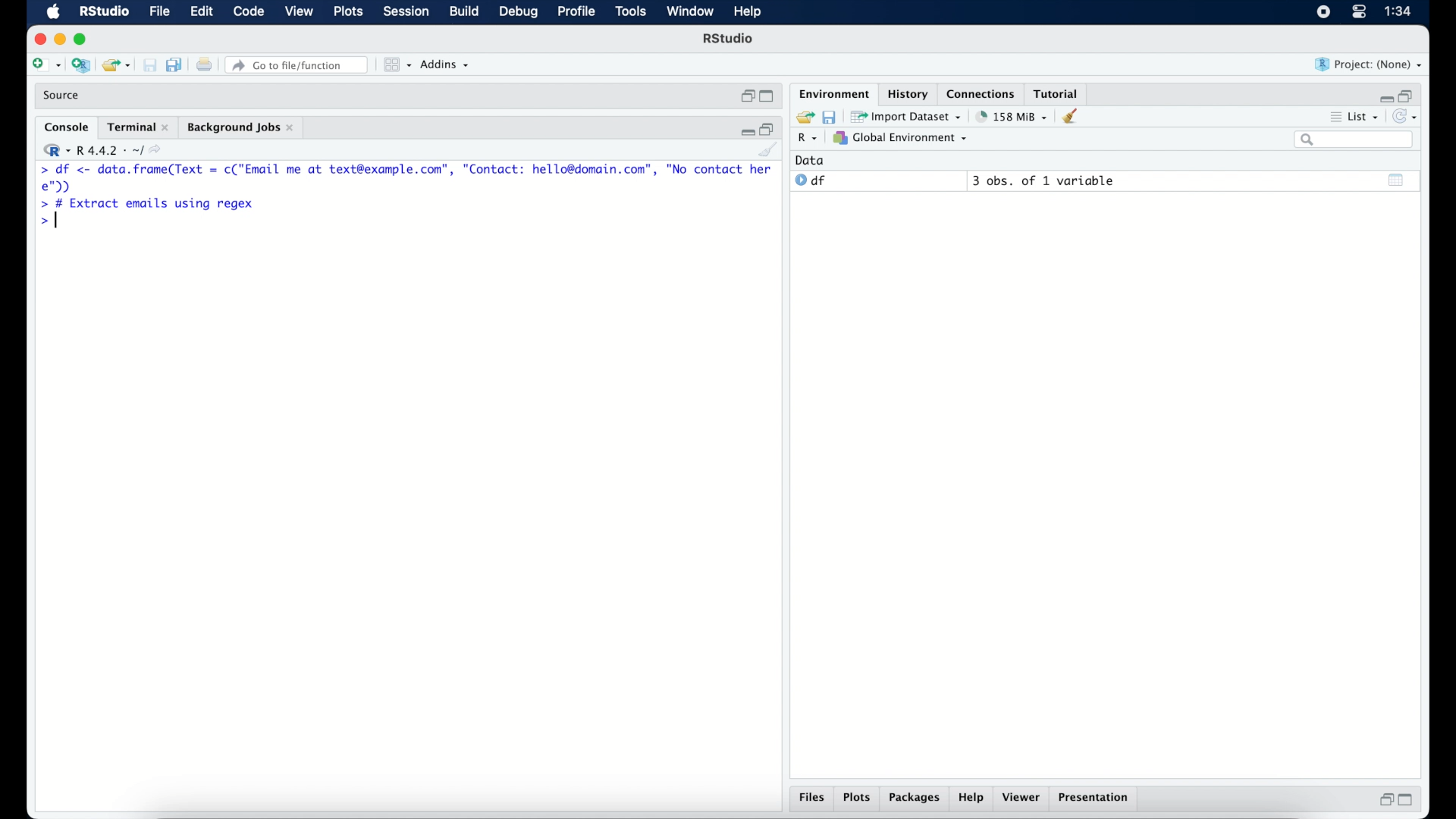 The image size is (1456, 819). What do you see at coordinates (1412, 96) in the screenshot?
I see `restore down` at bounding box center [1412, 96].